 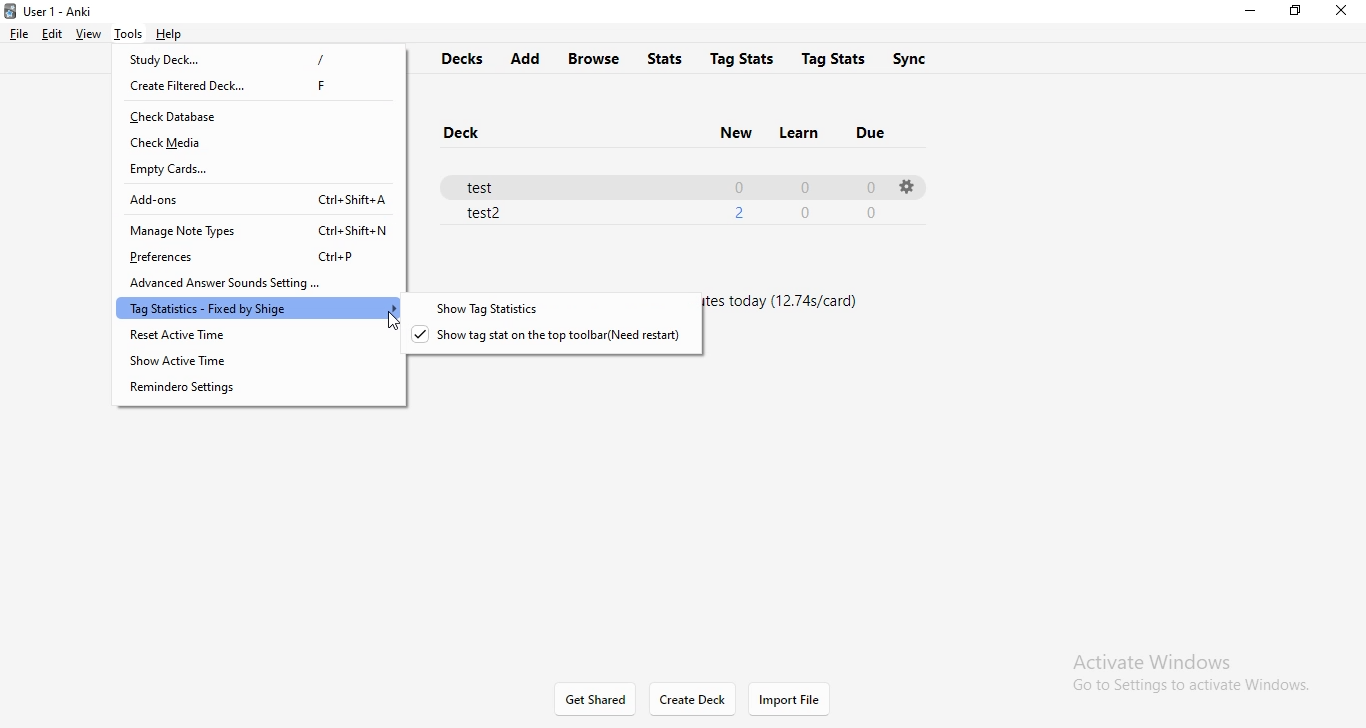 I want to click on help, so click(x=172, y=35).